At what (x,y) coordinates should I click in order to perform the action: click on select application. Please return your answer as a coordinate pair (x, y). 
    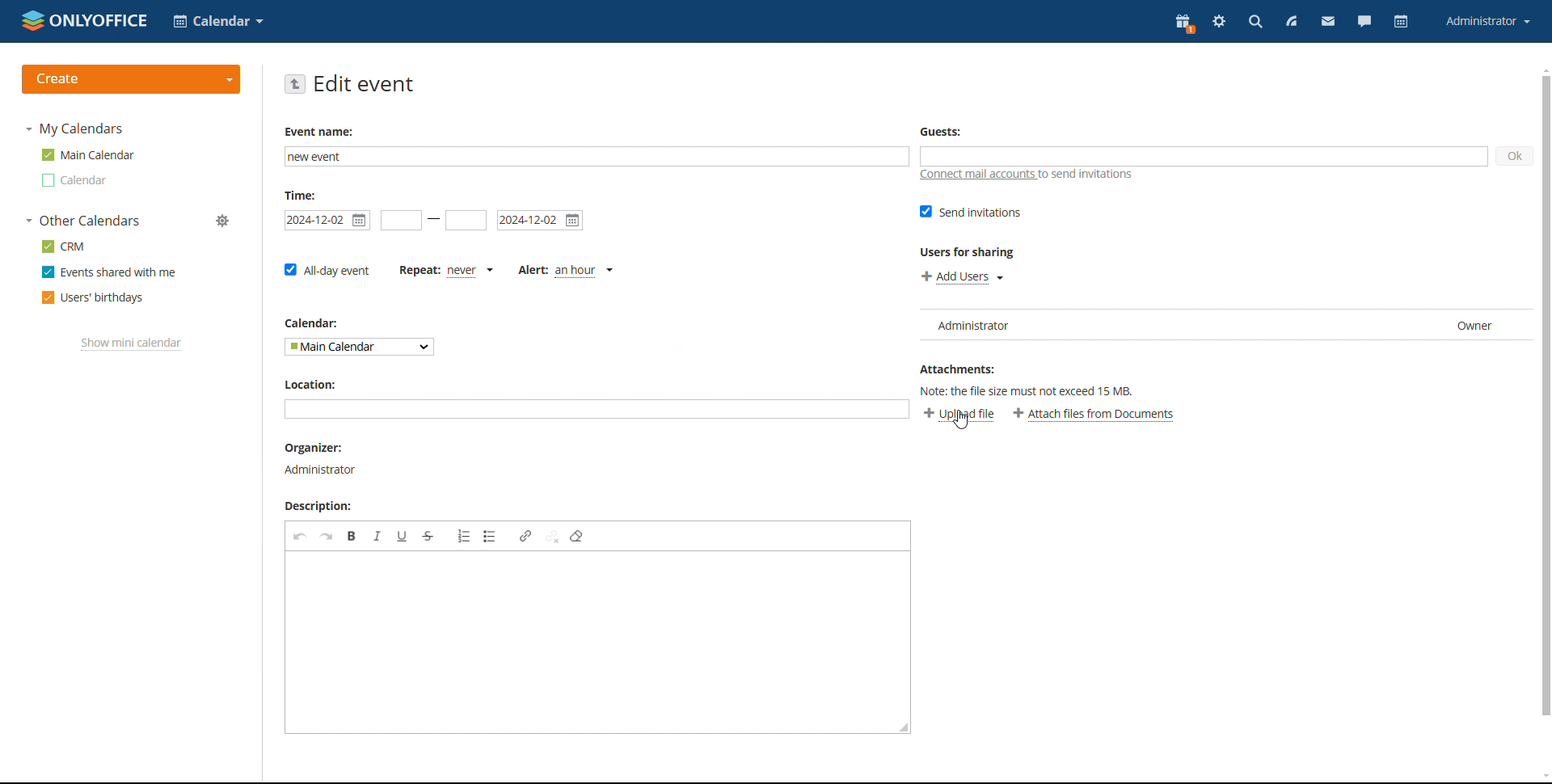
    Looking at the image, I should click on (218, 22).